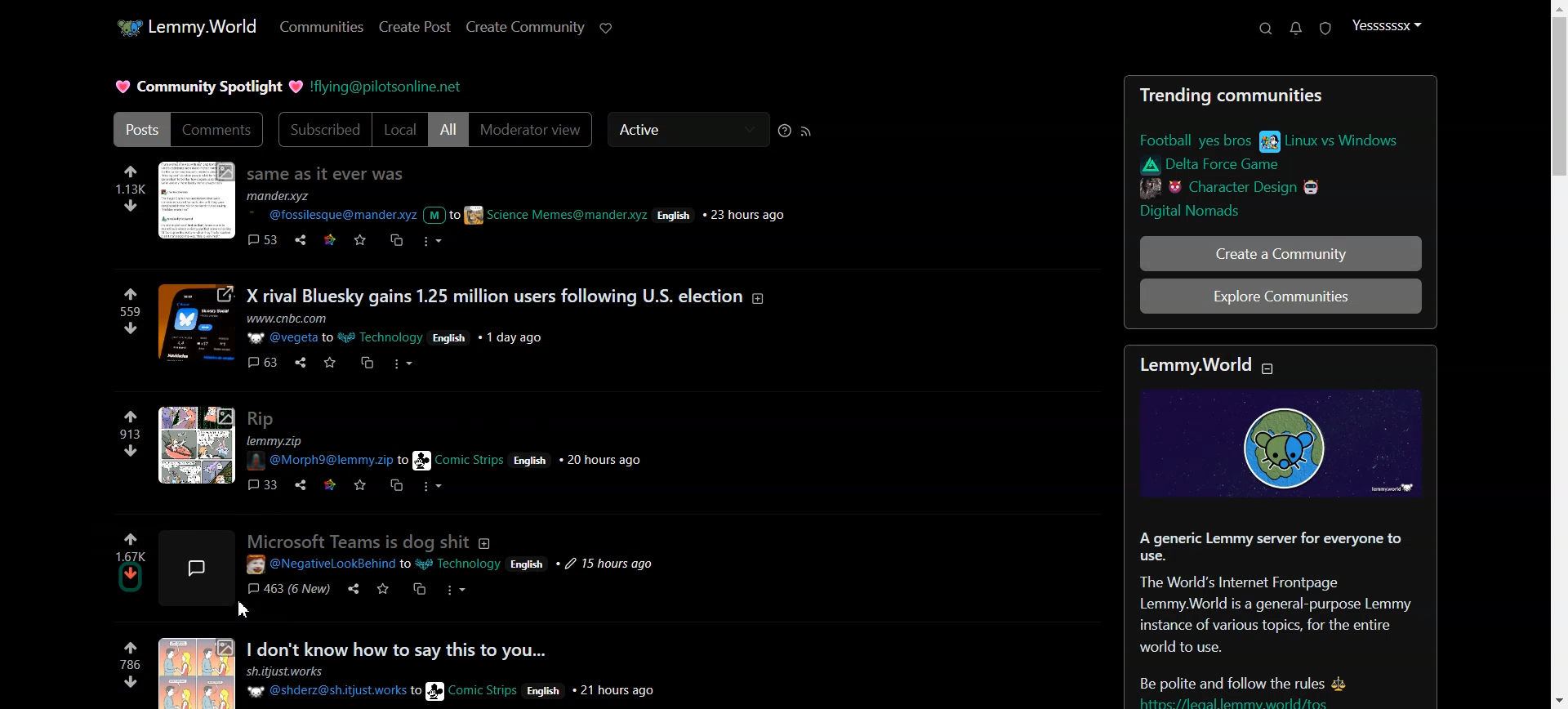  I want to click on Unread report, so click(1325, 29).